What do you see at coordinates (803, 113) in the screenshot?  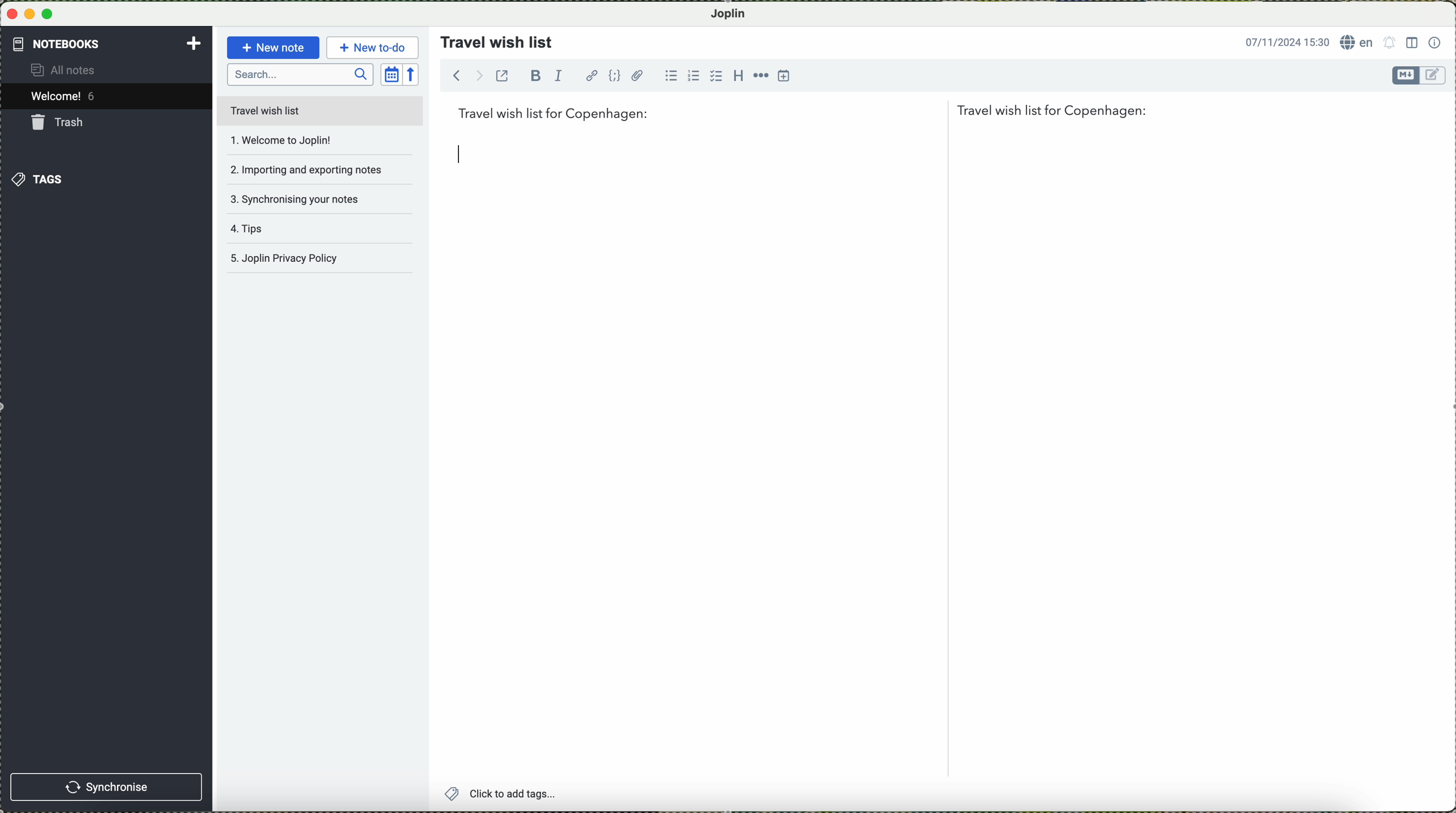 I see `travel wish list for Copenhagen:` at bounding box center [803, 113].